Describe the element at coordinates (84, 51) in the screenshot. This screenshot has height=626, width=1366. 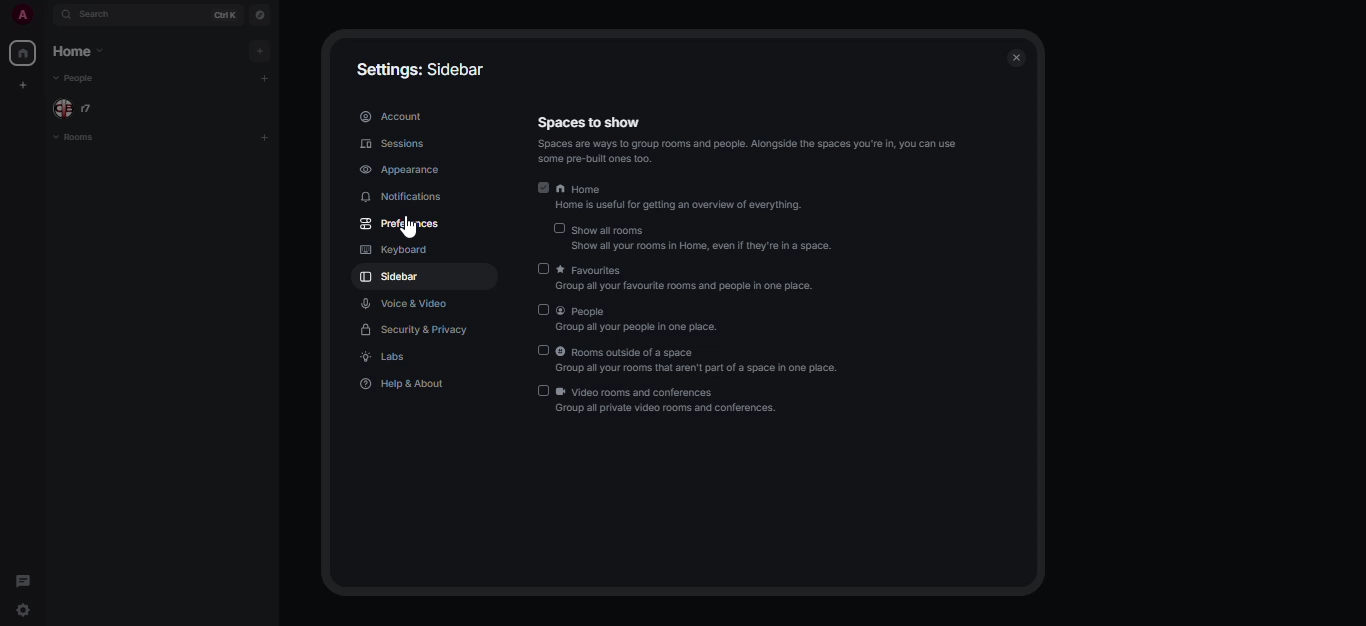
I see `home` at that location.